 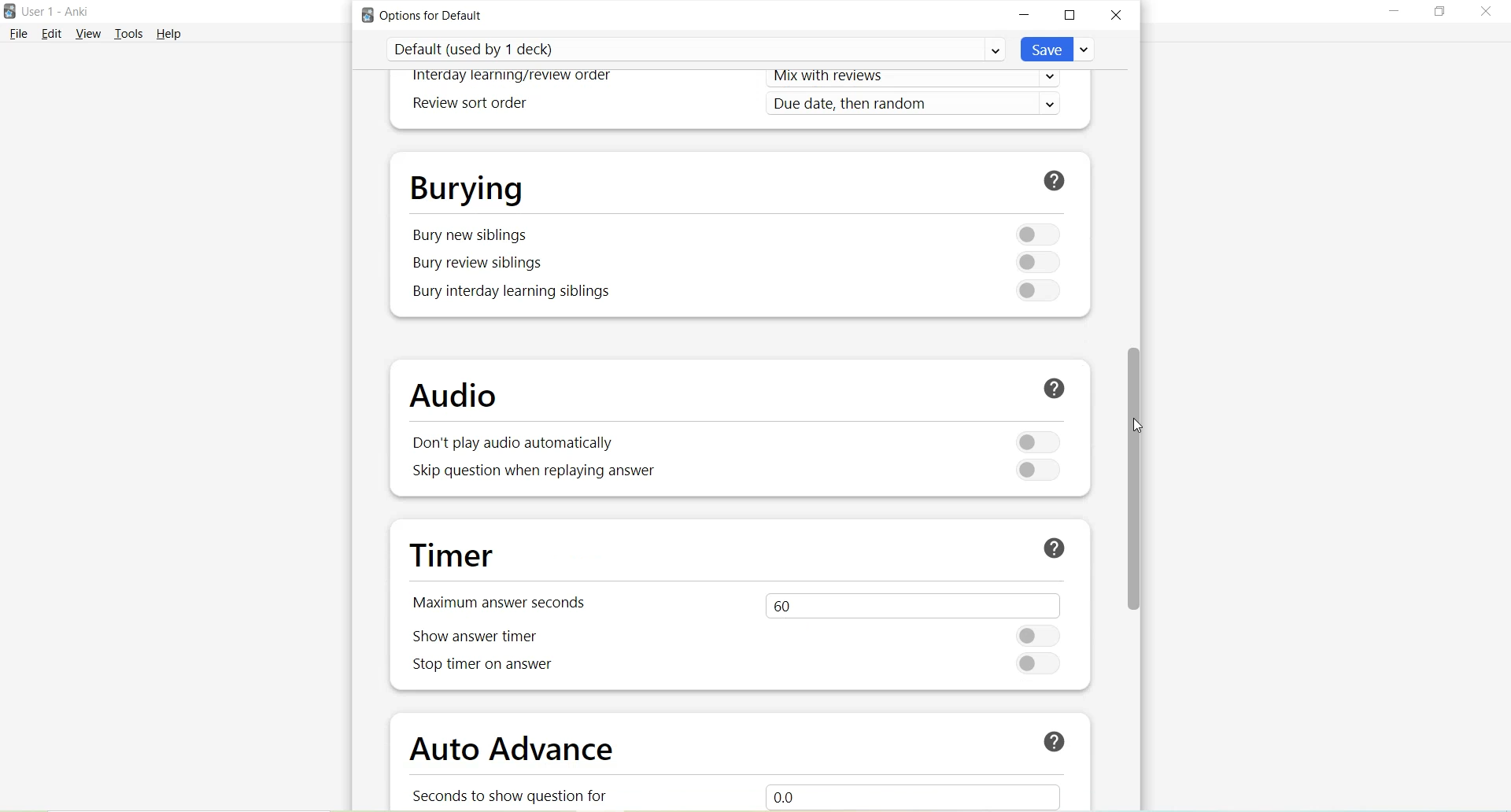 What do you see at coordinates (507, 601) in the screenshot?
I see `Maximum answer seconds` at bounding box center [507, 601].